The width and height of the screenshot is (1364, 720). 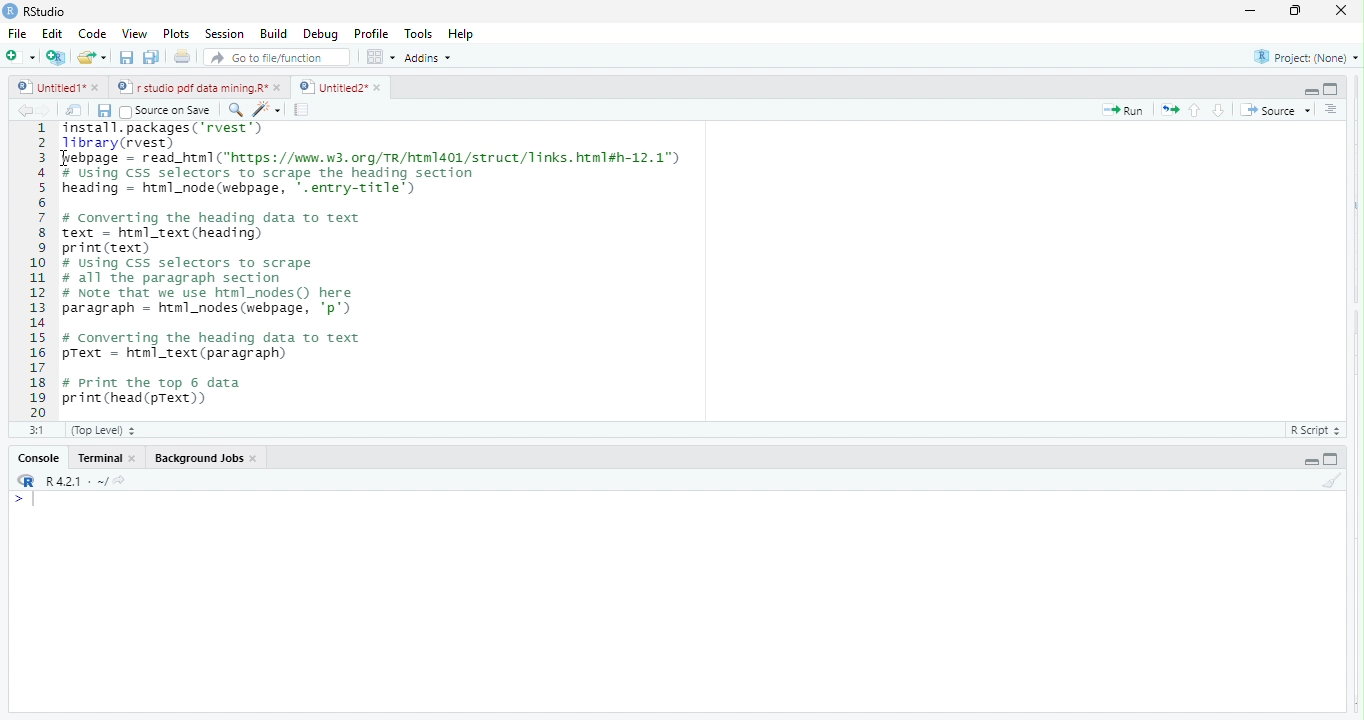 What do you see at coordinates (1331, 87) in the screenshot?
I see `hide console` at bounding box center [1331, 87].